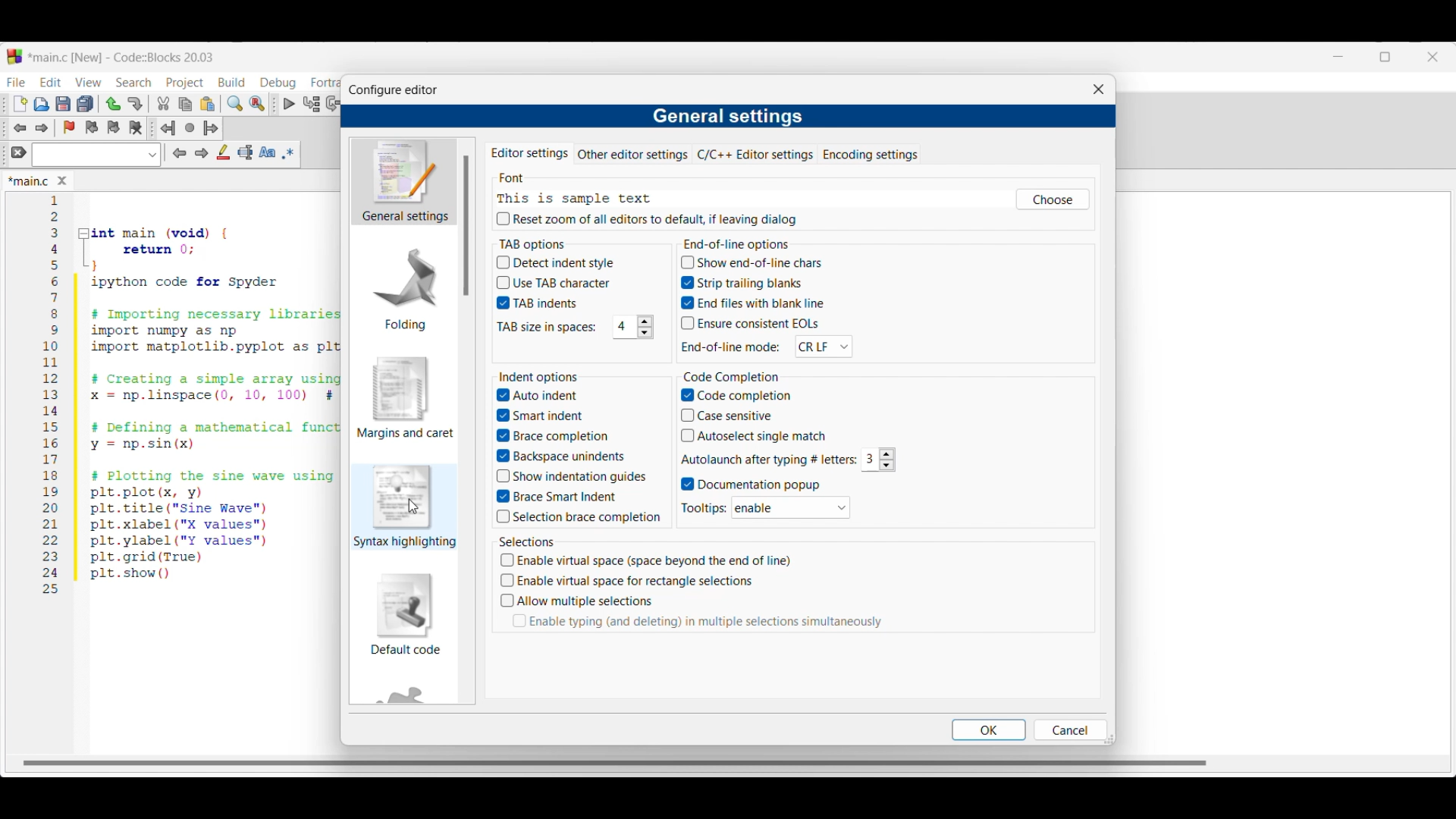 The width and height of the screenshot is (1456, 819). Describe the element at coordinates (135, 128) in the screenshot. I see `Clear bookmarks` at that location.